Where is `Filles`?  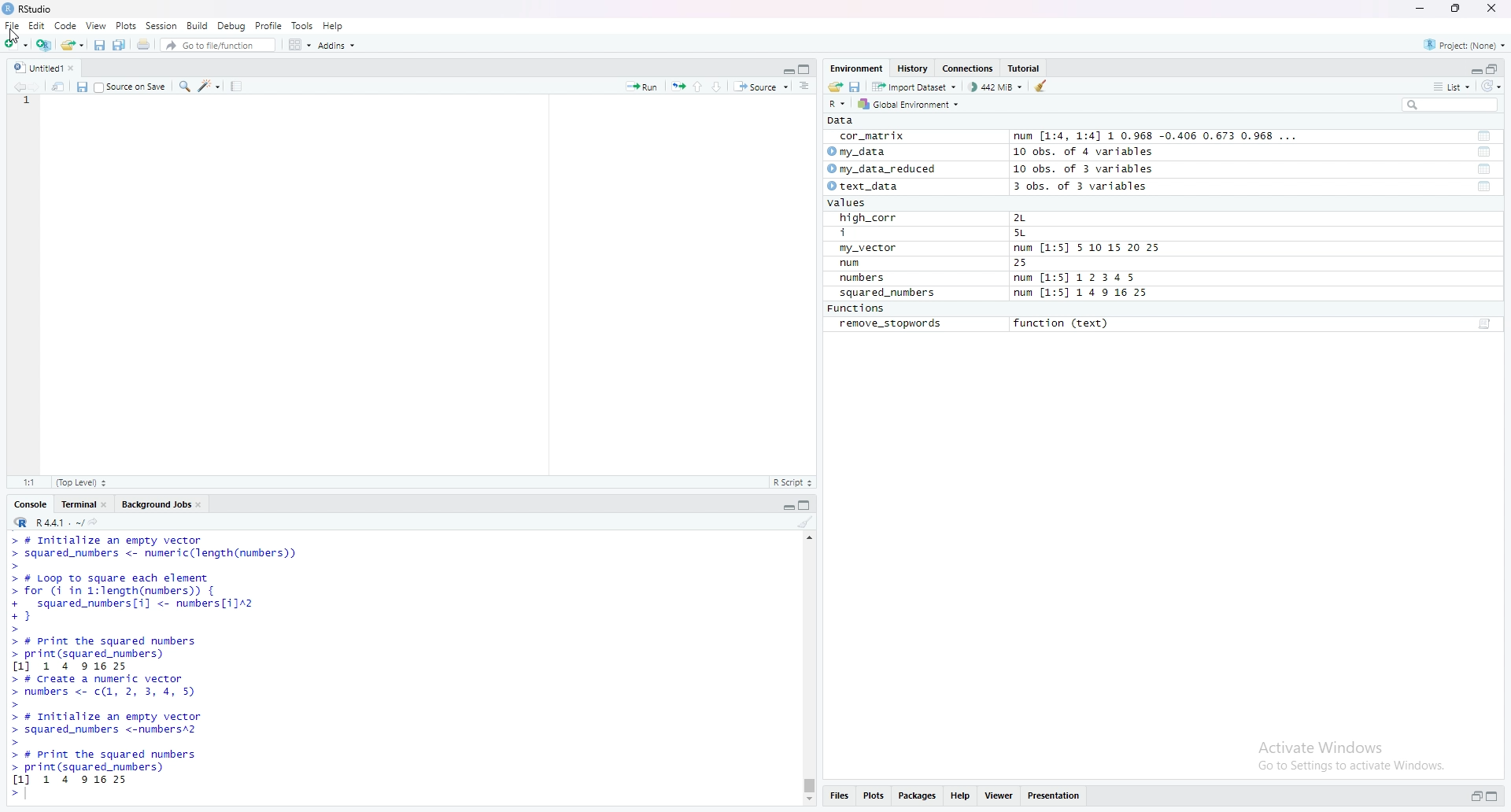
Filles is located at coordinates (838, 797).